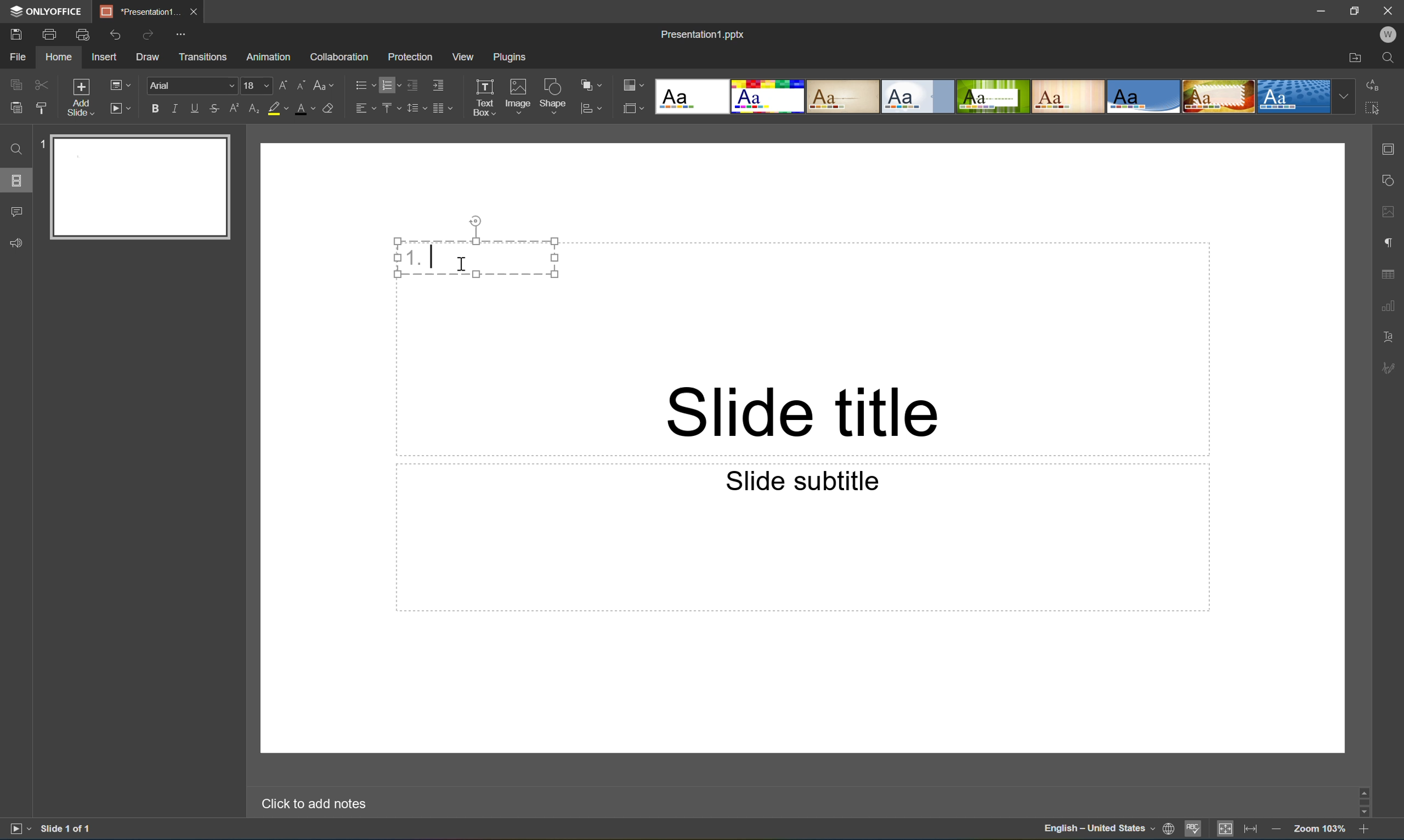 This screenshot has height=840, width=1404. I want to click on Change color theme, so click(632, 85).